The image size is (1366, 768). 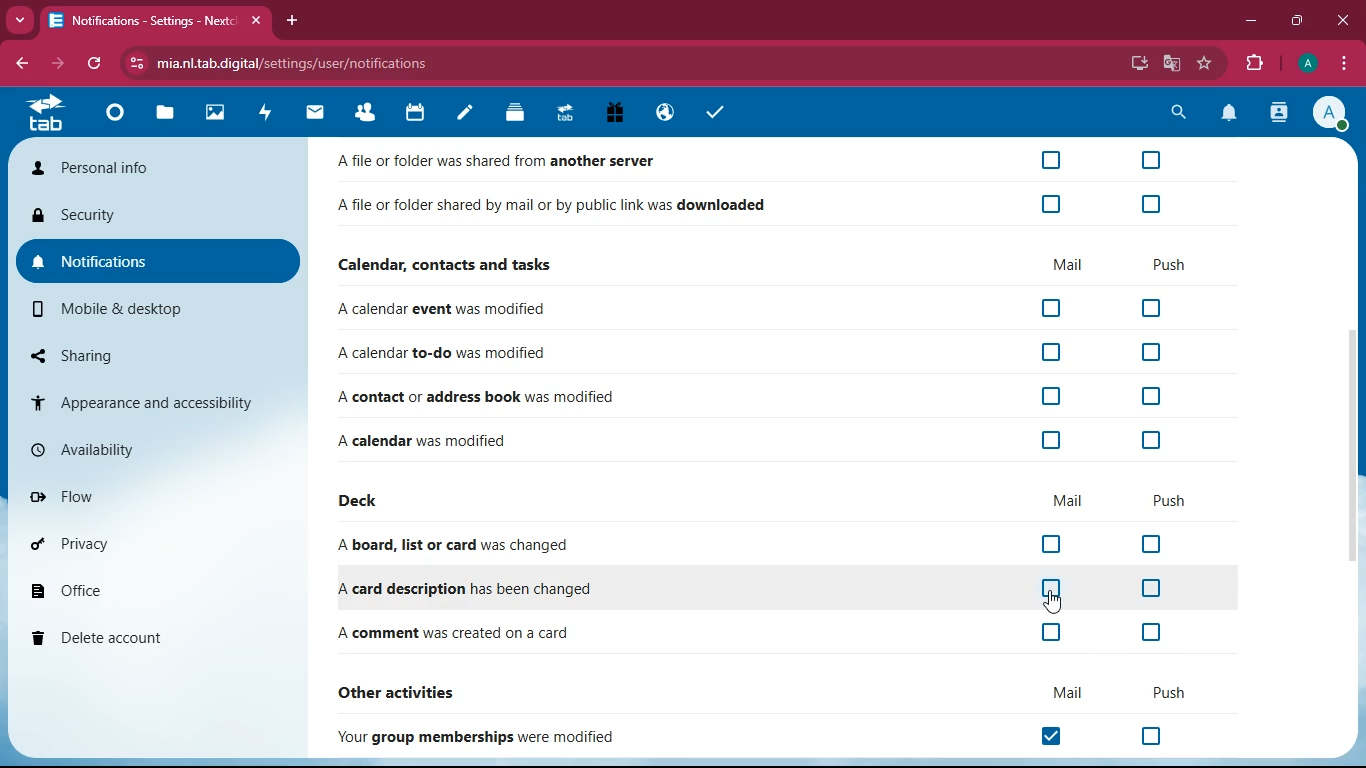 I want to click on favorite, so click(x=1204, y=64).